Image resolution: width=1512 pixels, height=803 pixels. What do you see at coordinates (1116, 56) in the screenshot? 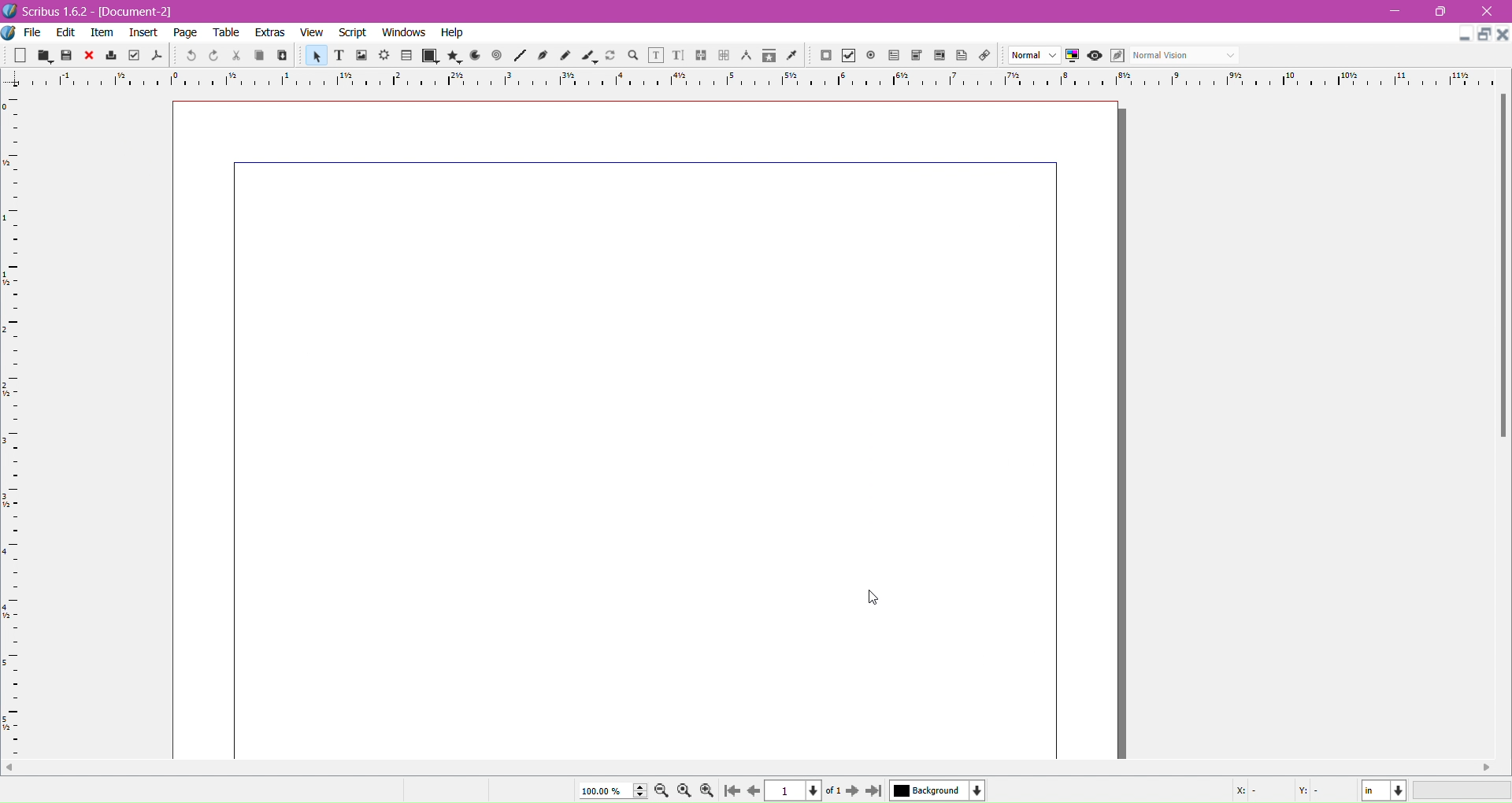
I see `icon` at bounding box center [1116, 56].